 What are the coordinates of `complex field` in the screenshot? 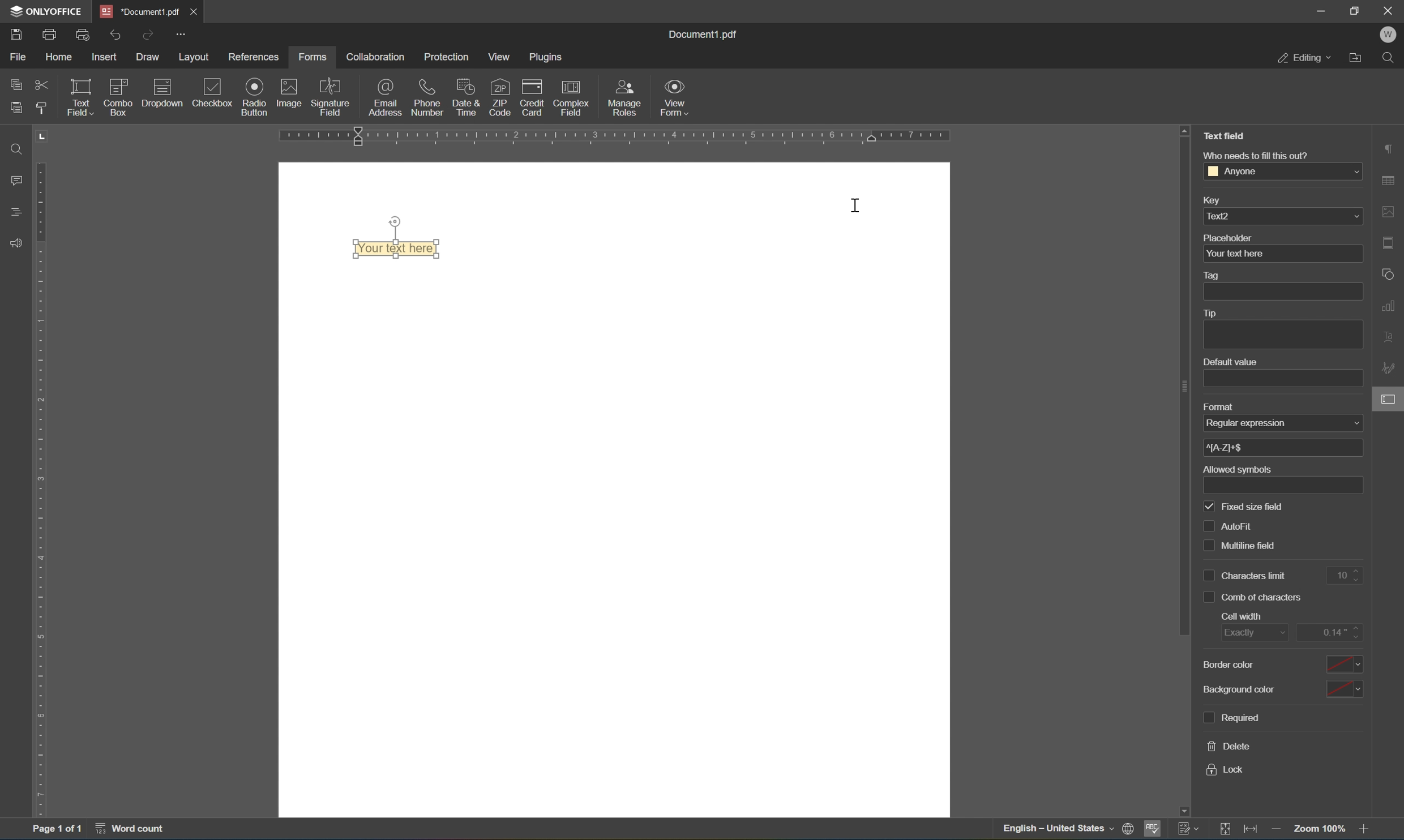 It's located at (571, 97).